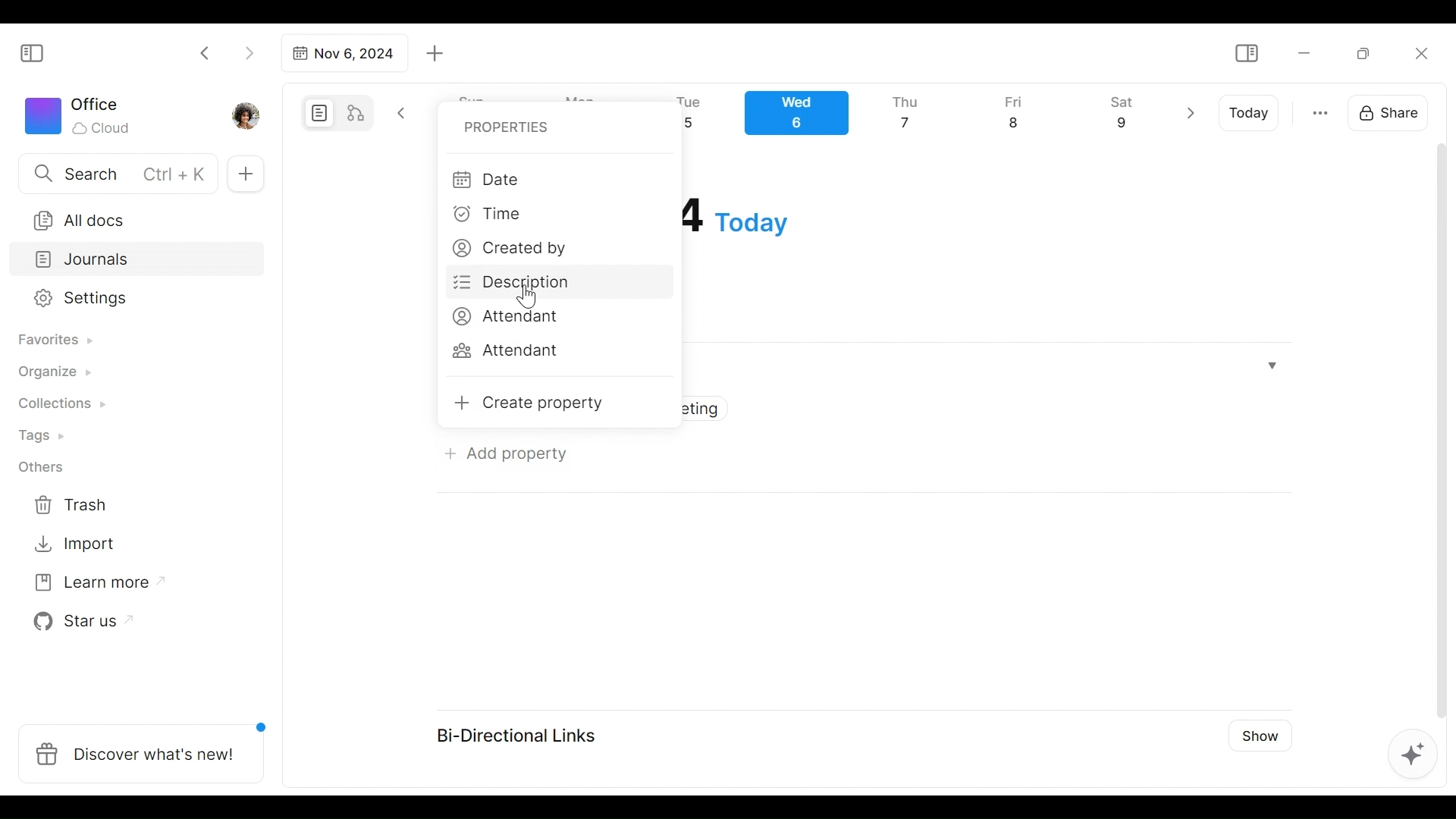 This screenshot has height=819, width=1456. What do you see at coordinates (1255, 734) in the screenshot?
I see `Show` at bounding box center [1255, 734].